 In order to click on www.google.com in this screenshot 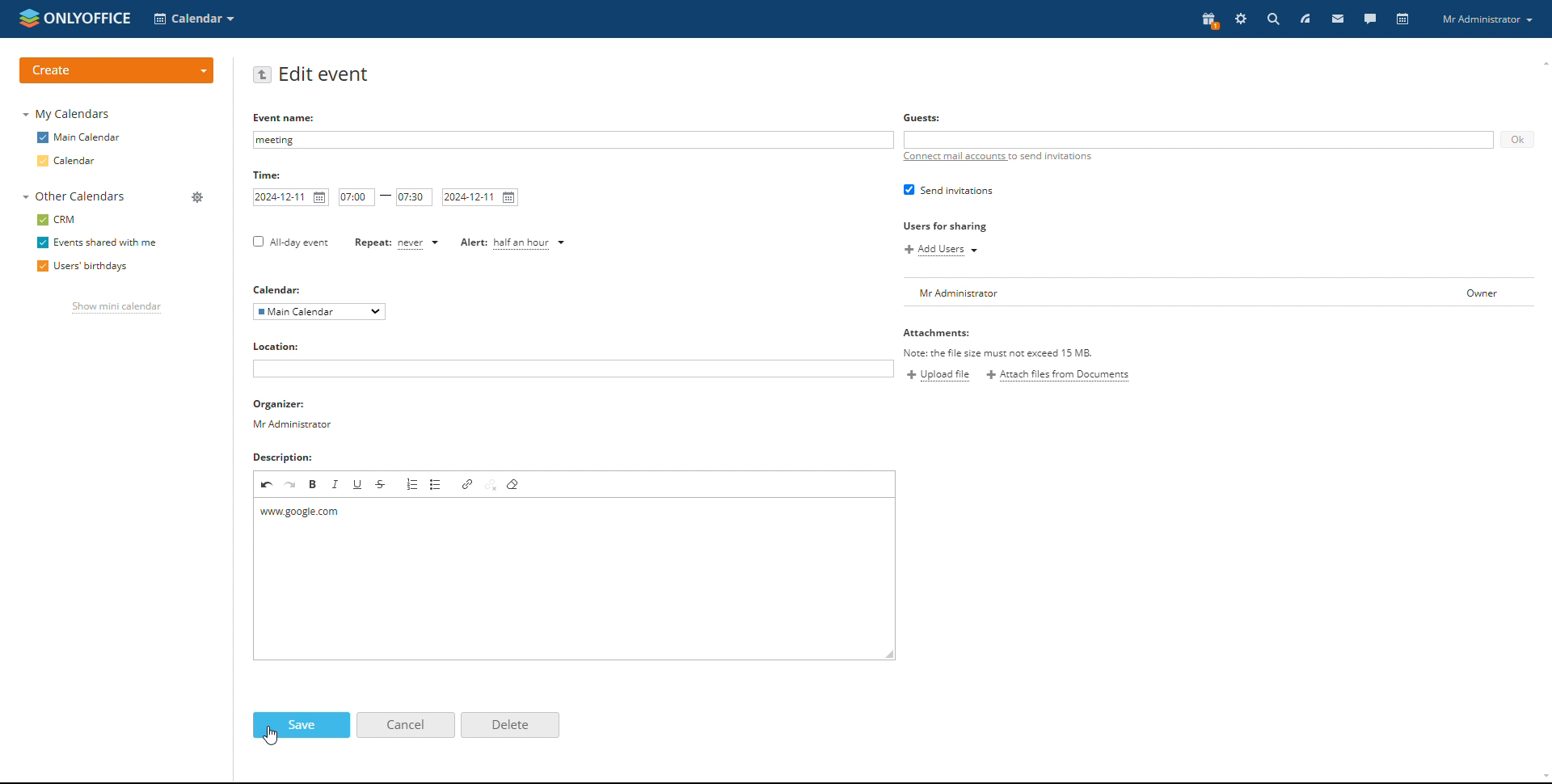, I will do `click(314, 514)`.